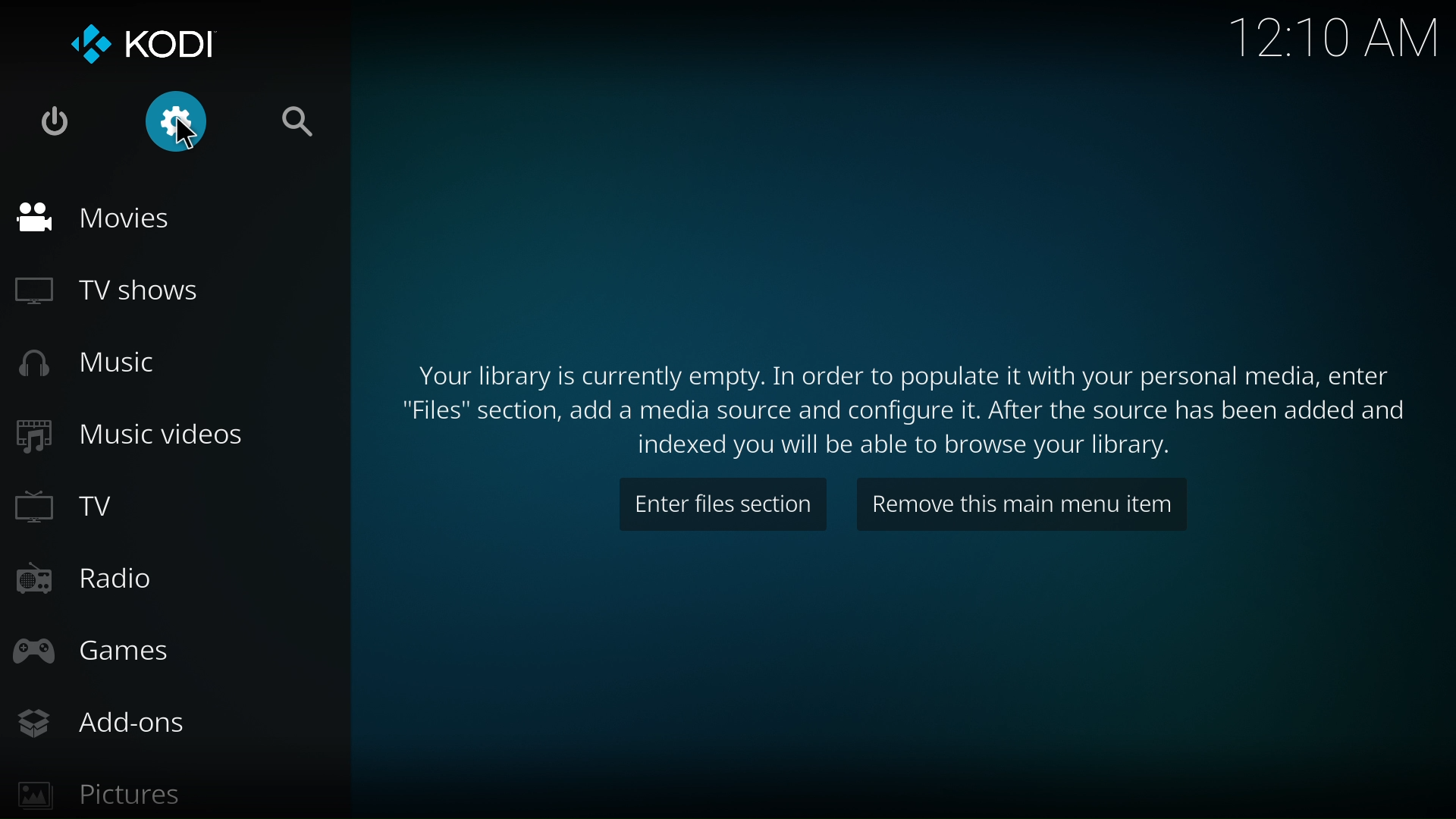 The width and height of the screenshot is (1456, 819). I want to click on remove this item, so click(1030, 510).